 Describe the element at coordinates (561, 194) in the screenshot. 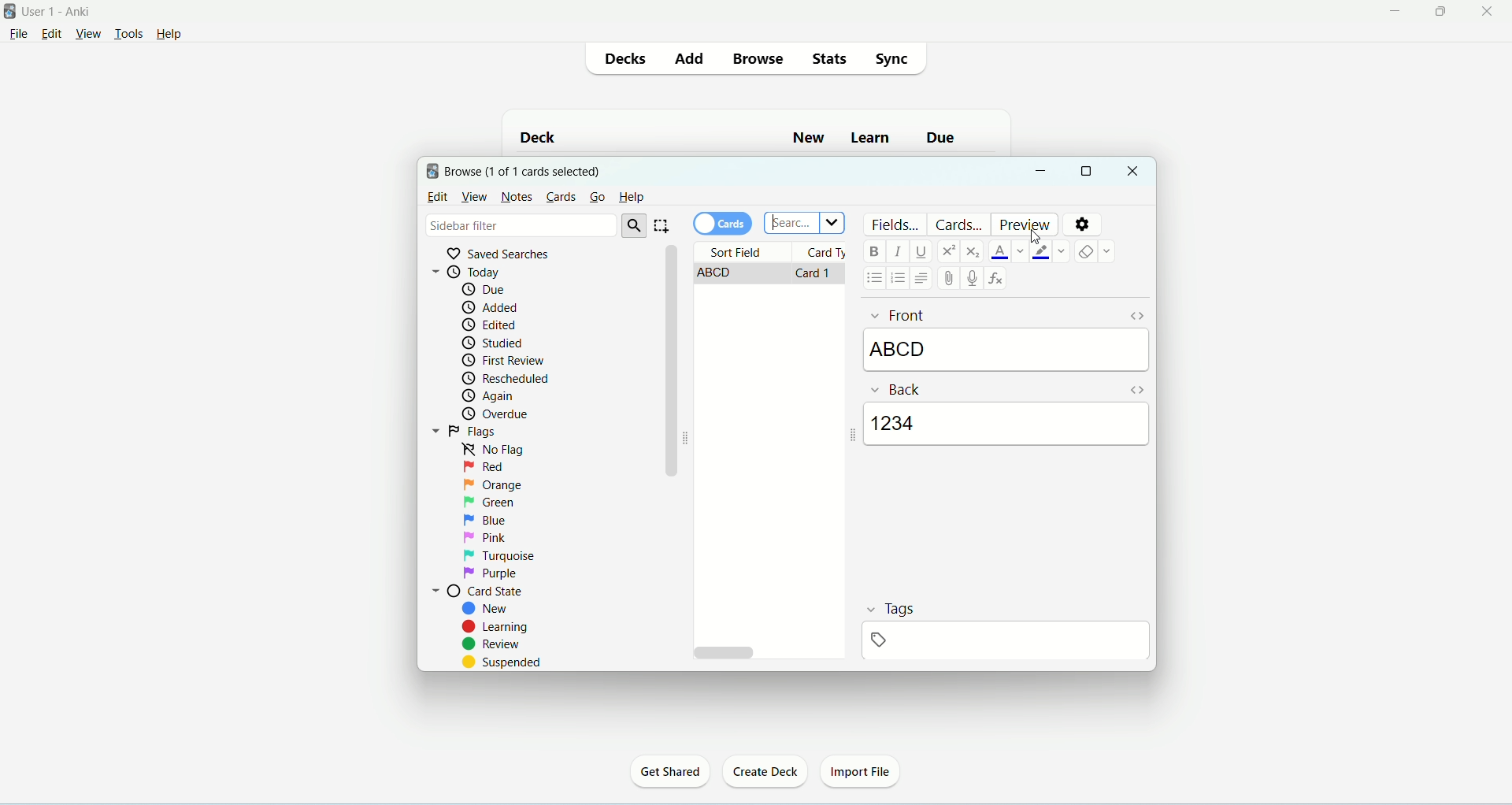

I see `cards` at that location.